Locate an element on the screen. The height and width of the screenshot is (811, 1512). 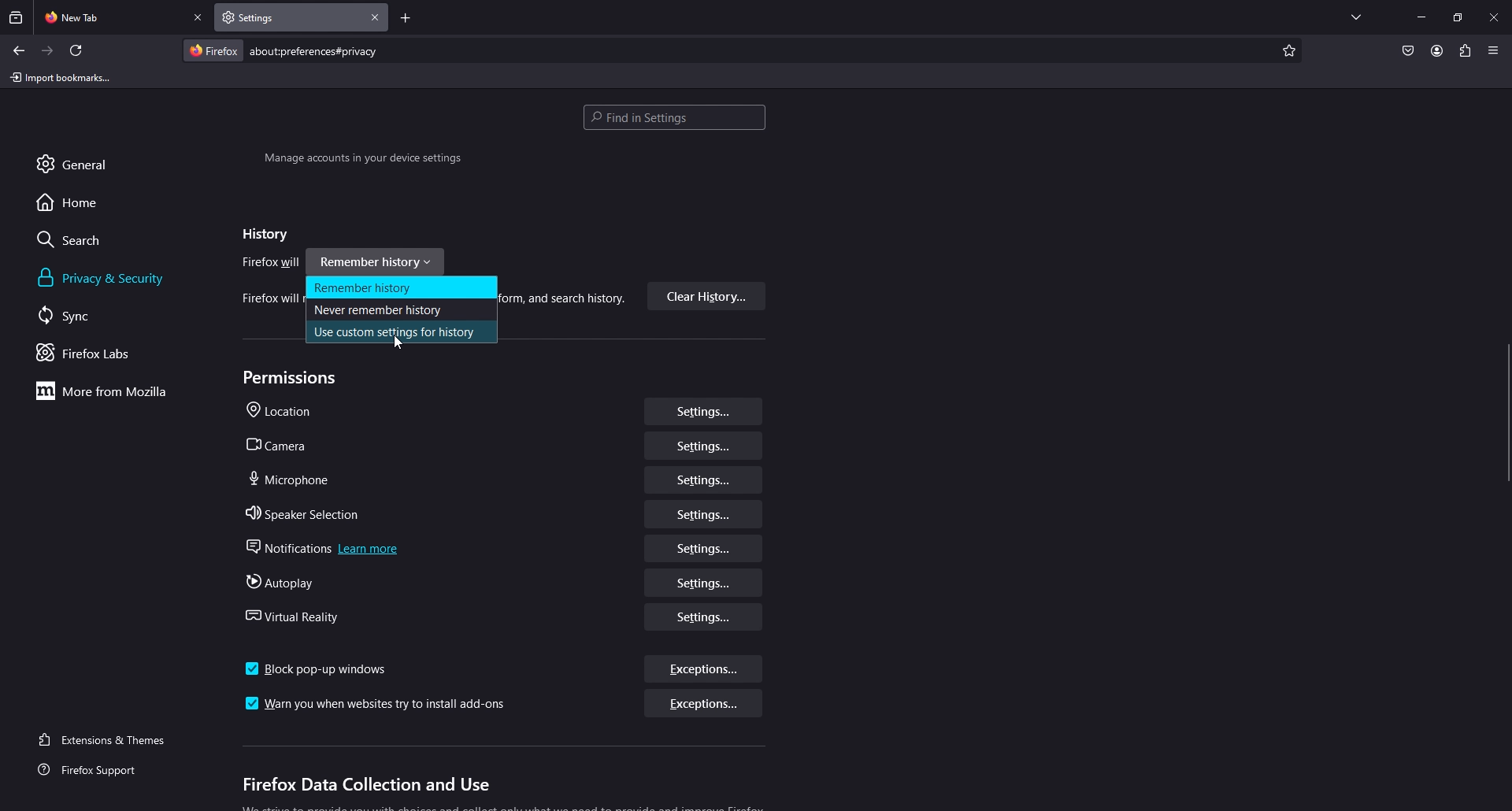
vertical scrollbar is located at coordinates (1503, 418).